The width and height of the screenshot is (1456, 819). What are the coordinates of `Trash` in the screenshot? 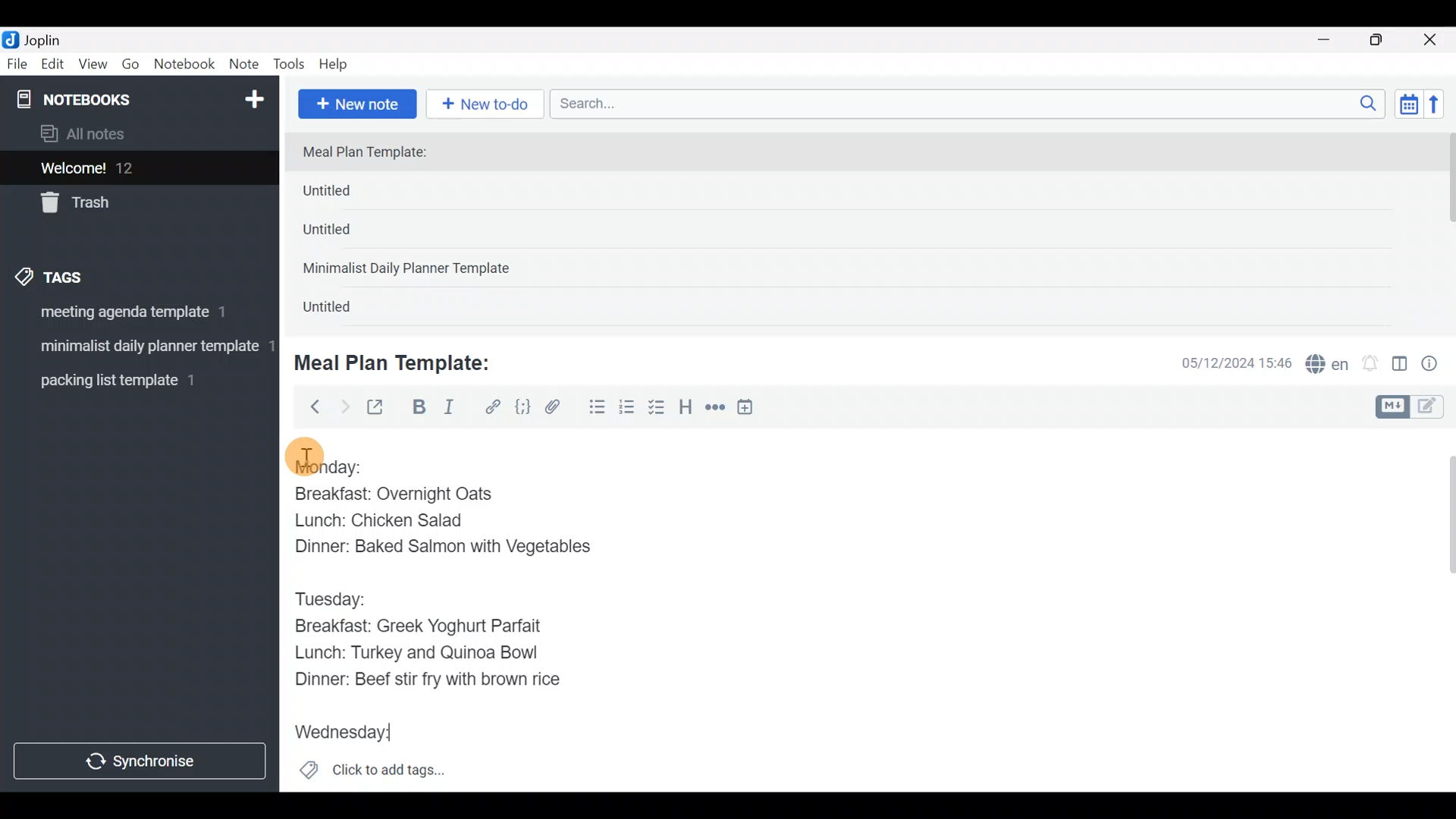 It's located at (130, 204).